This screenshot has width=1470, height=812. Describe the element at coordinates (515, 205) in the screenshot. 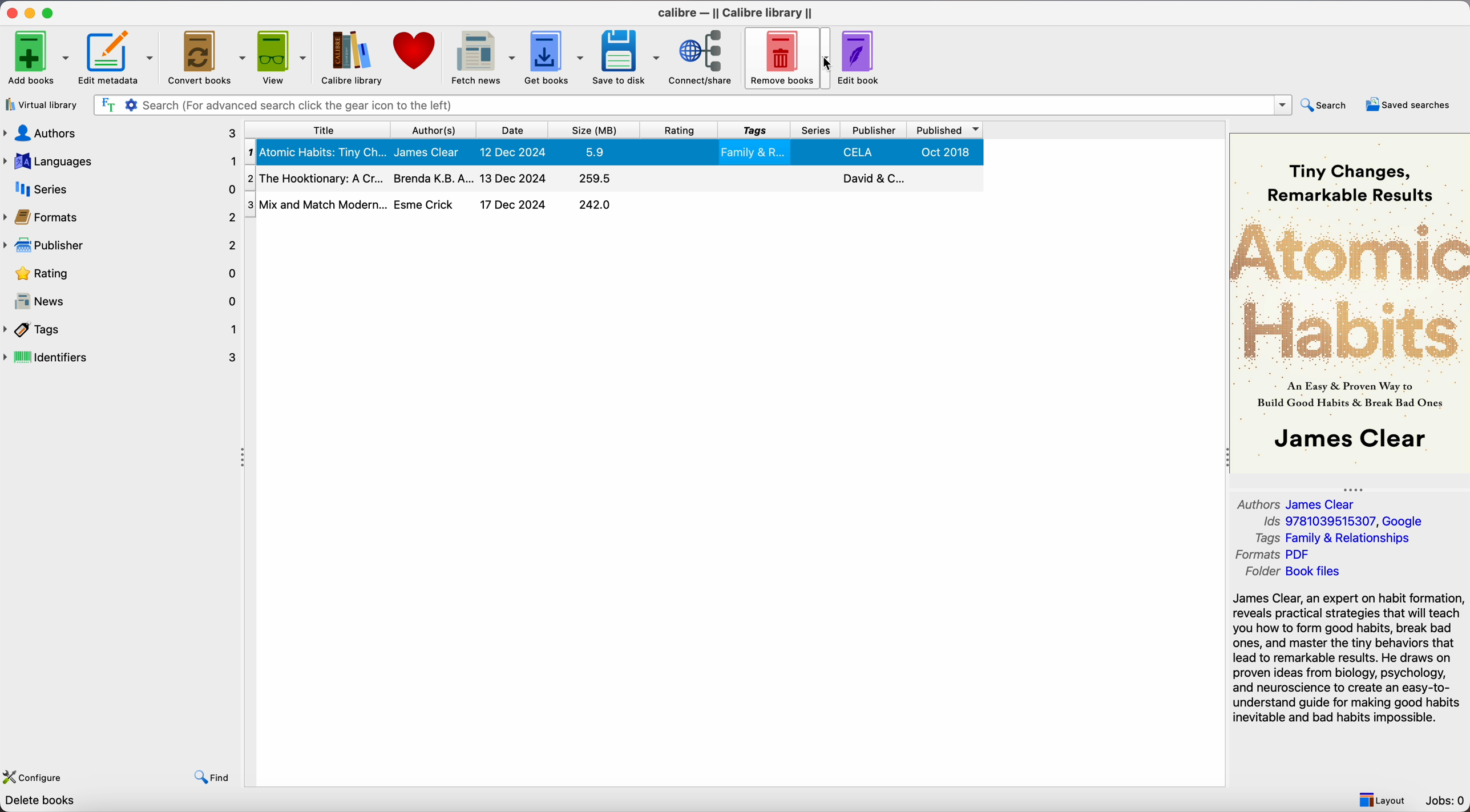

I see `17 Dec 2024` at that location.